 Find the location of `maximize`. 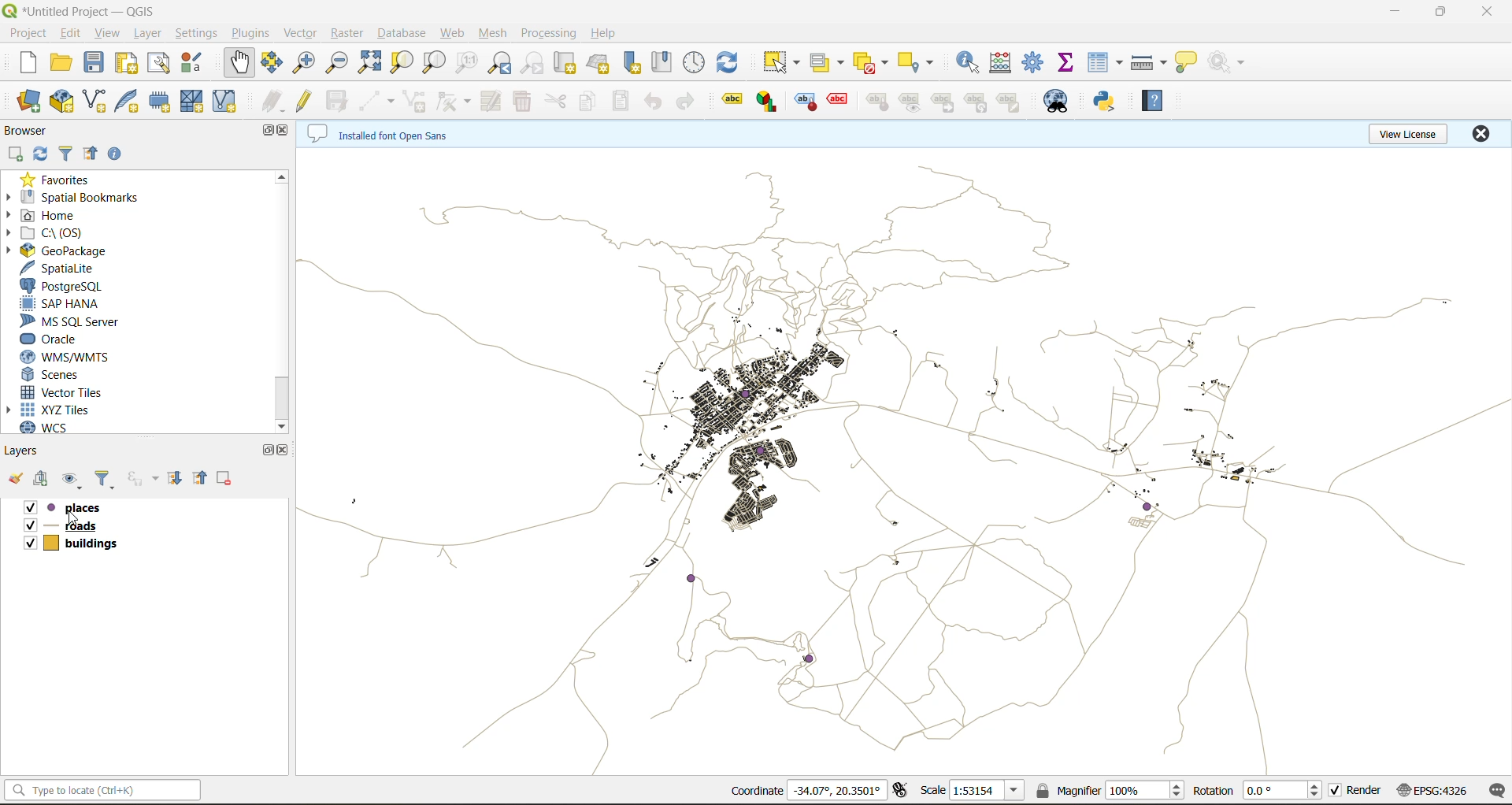

maximize is located at coordinates (1442, 13).